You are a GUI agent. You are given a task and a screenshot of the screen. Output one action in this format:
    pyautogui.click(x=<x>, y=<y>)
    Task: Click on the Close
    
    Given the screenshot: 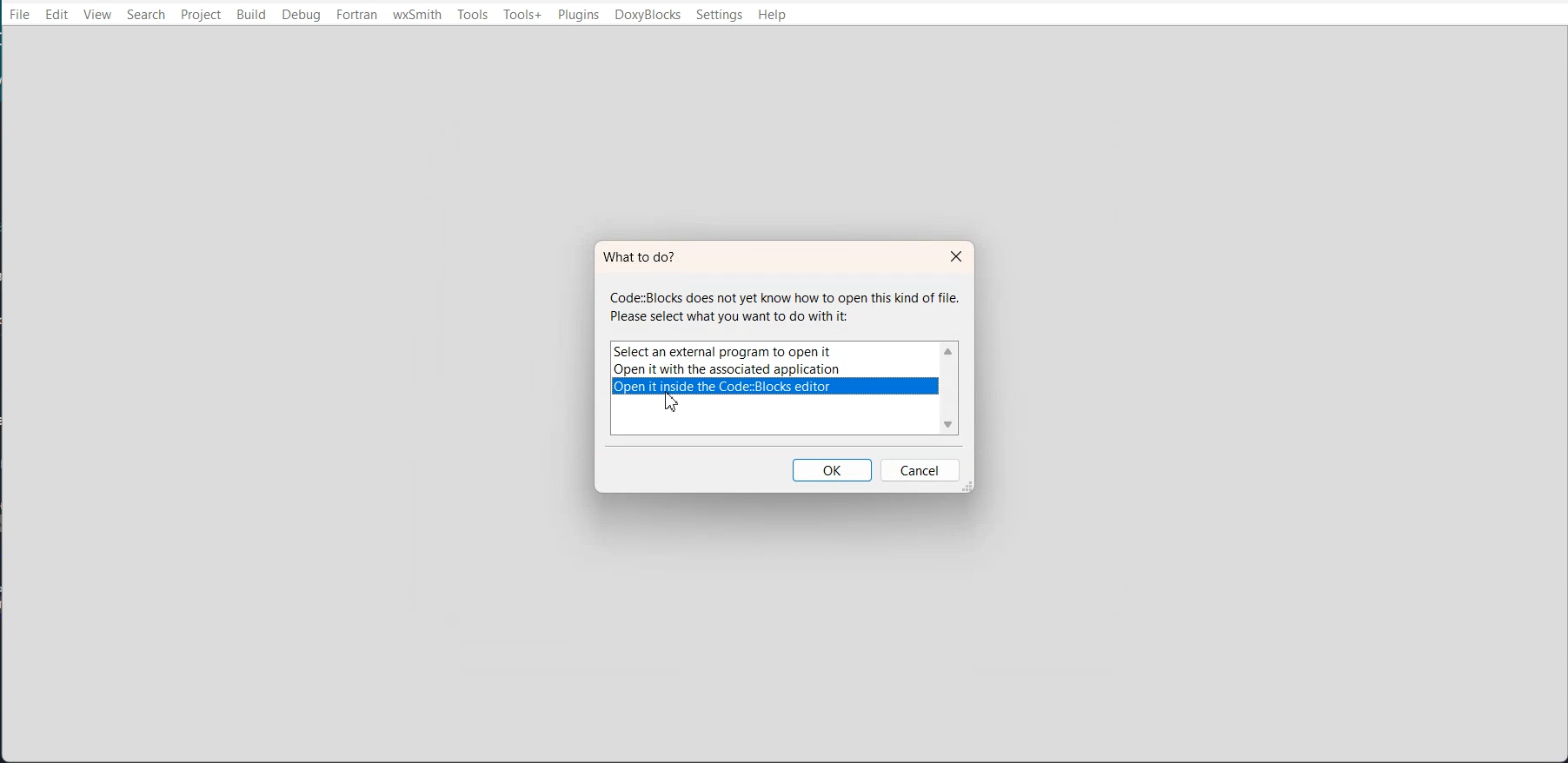 What is the action you would take?
    pyautogui.click(x=958, y=257)
    